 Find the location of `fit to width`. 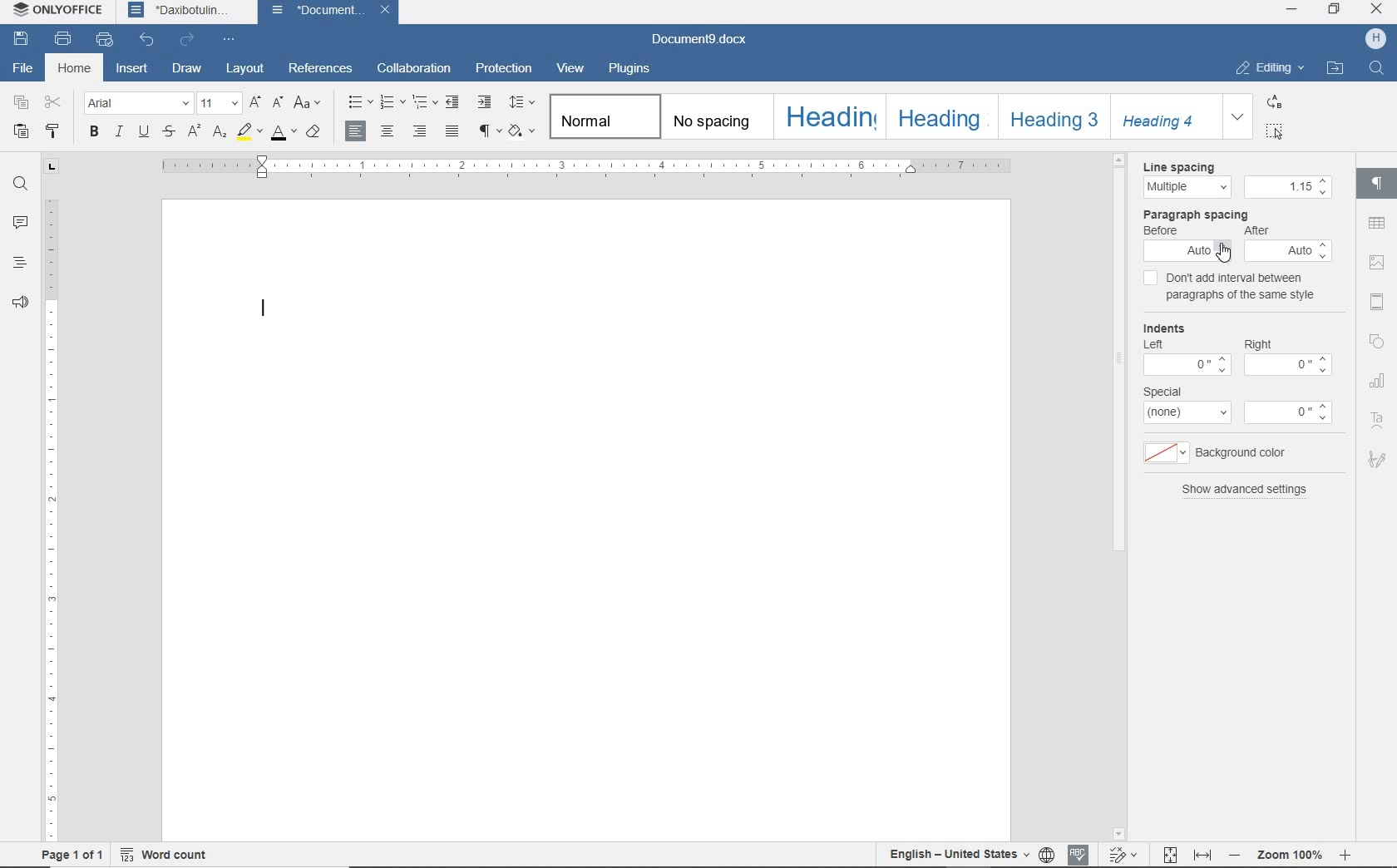

fit to width is located at coordinates (1202, 856).